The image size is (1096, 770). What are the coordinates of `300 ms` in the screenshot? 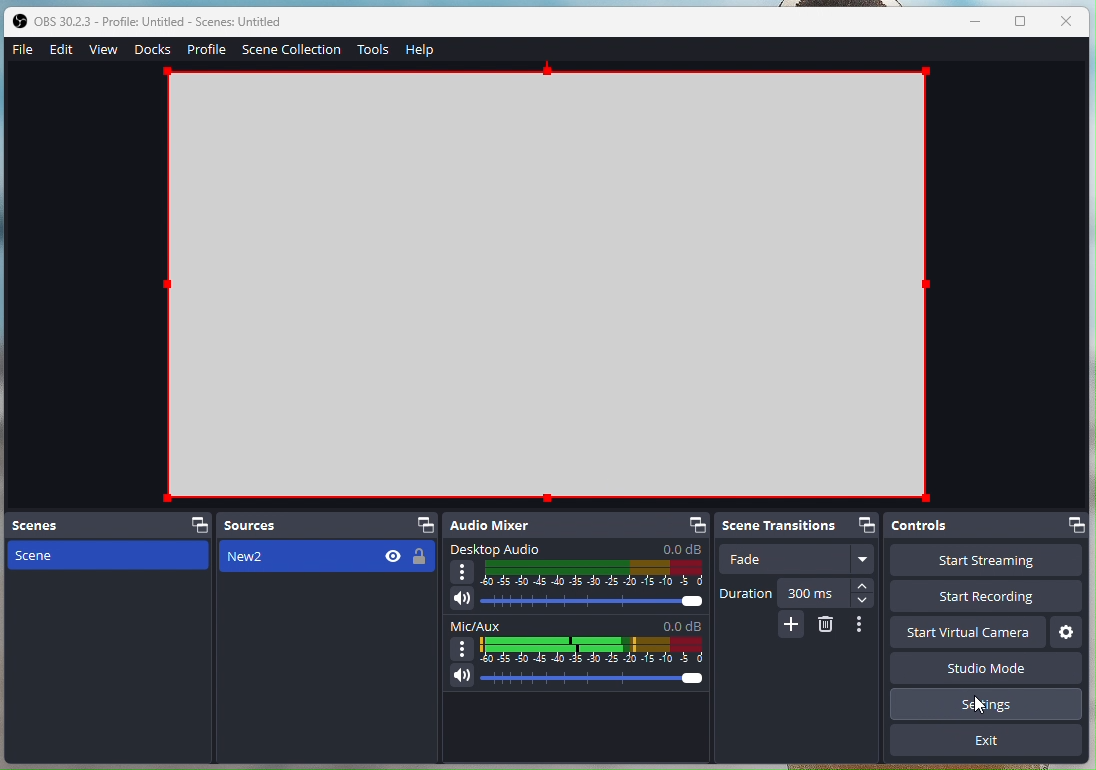 It's located at (808, 592).